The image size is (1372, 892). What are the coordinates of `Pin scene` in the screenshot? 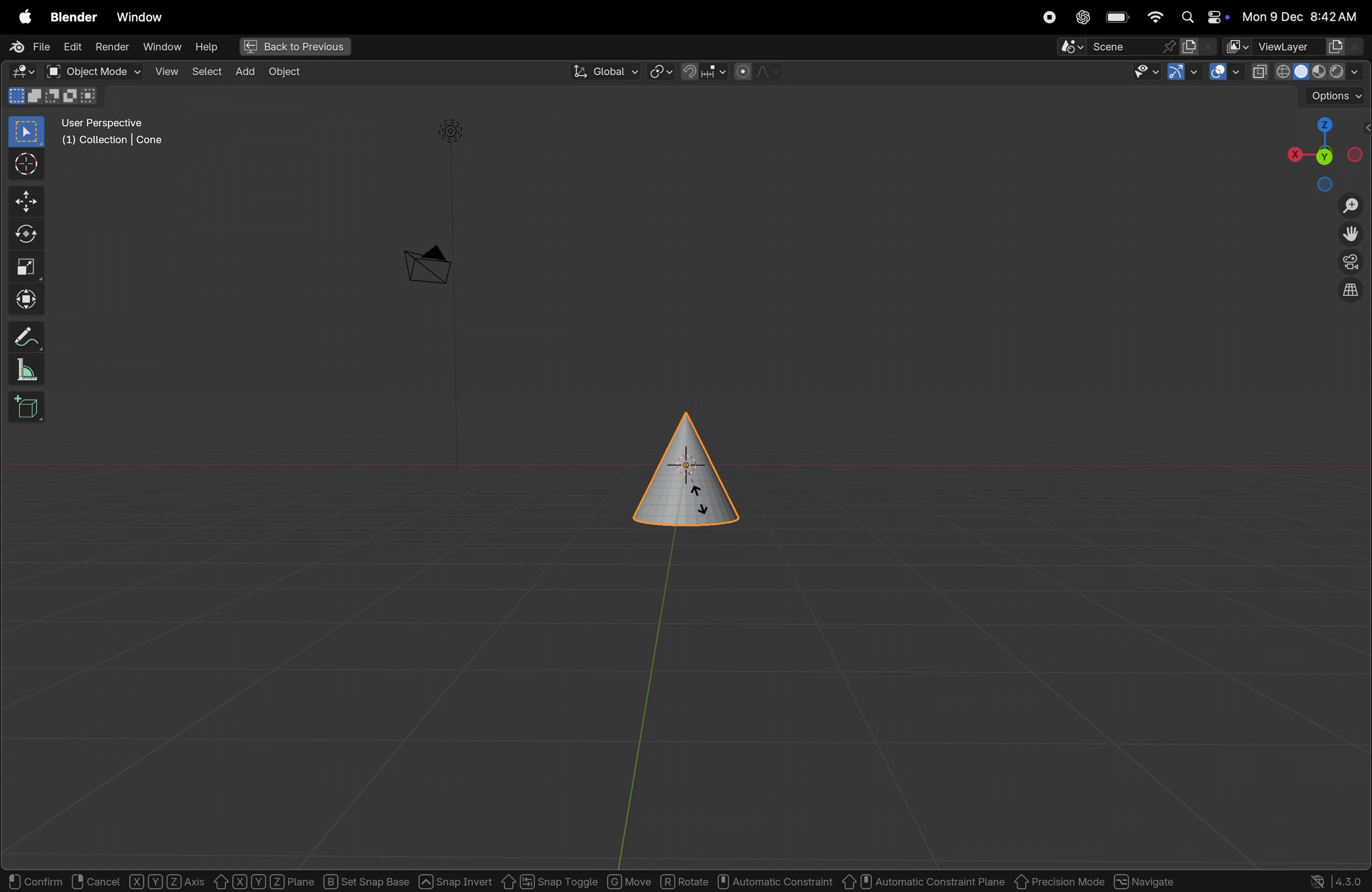 It's located at (1115, 47).